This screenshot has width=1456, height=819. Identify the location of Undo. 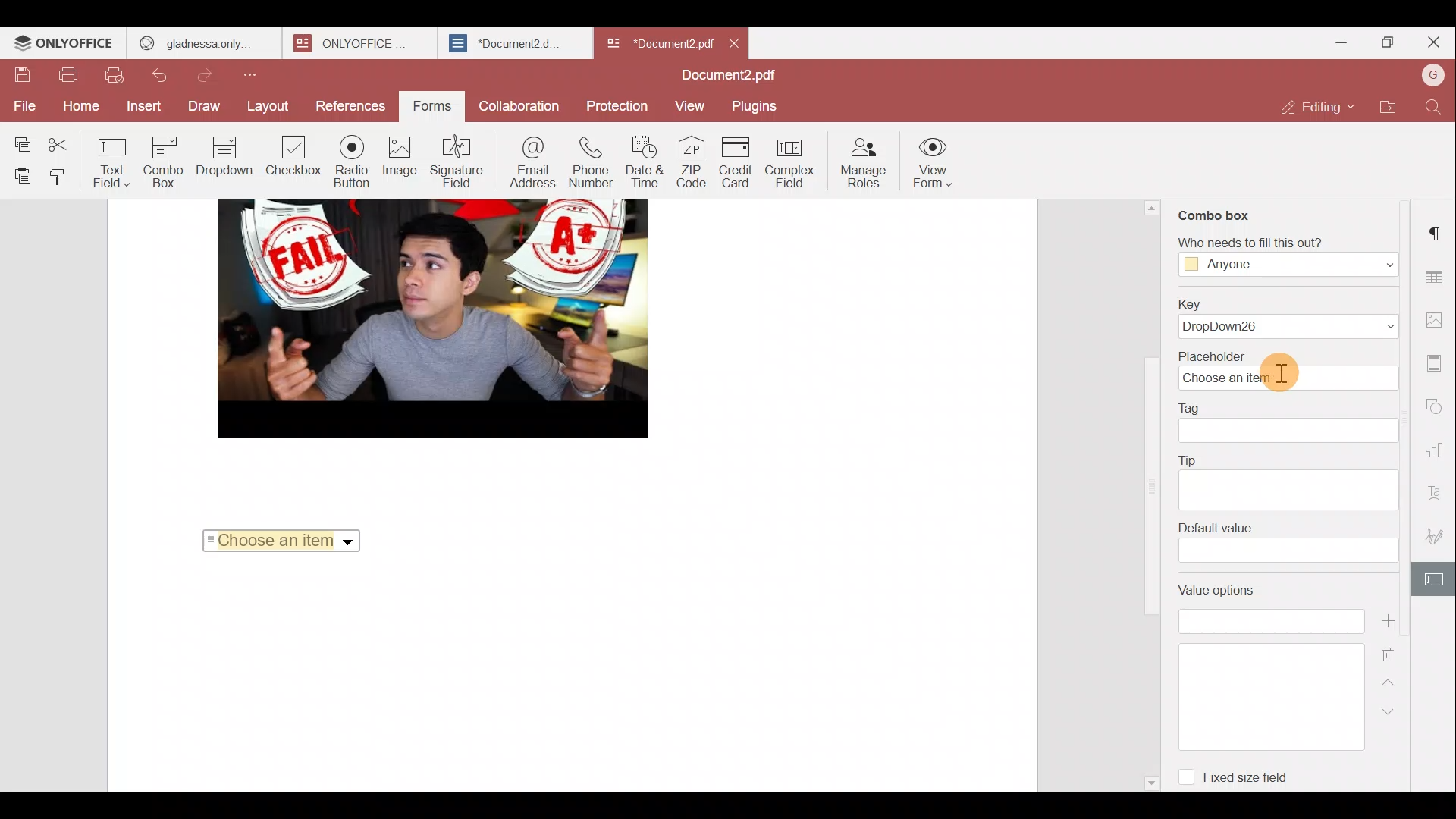
(164, 75).